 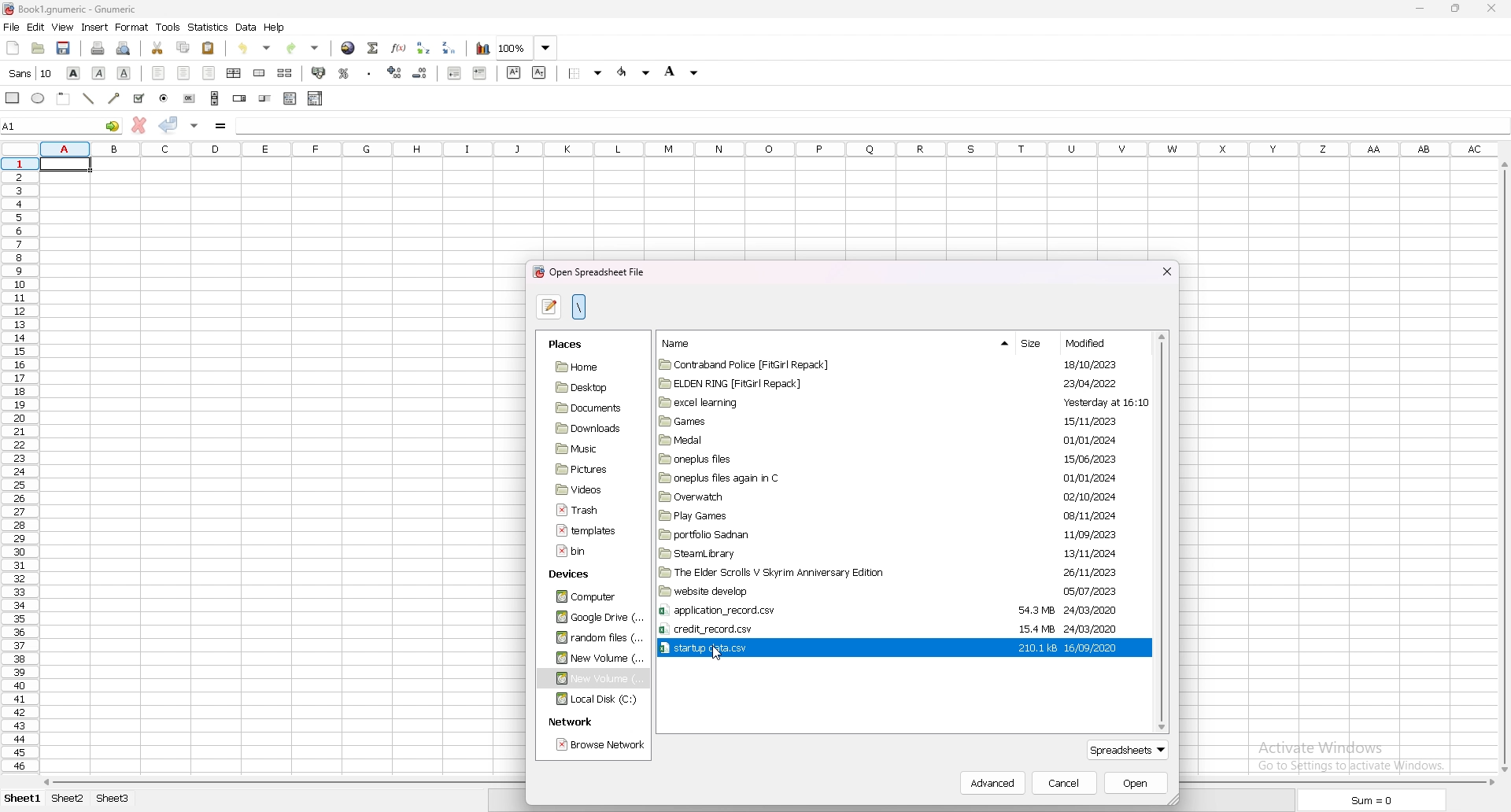 What do you see at coordinates (482, 50) in the screenshot?
I see `chart` at bounding box center [482, 50].